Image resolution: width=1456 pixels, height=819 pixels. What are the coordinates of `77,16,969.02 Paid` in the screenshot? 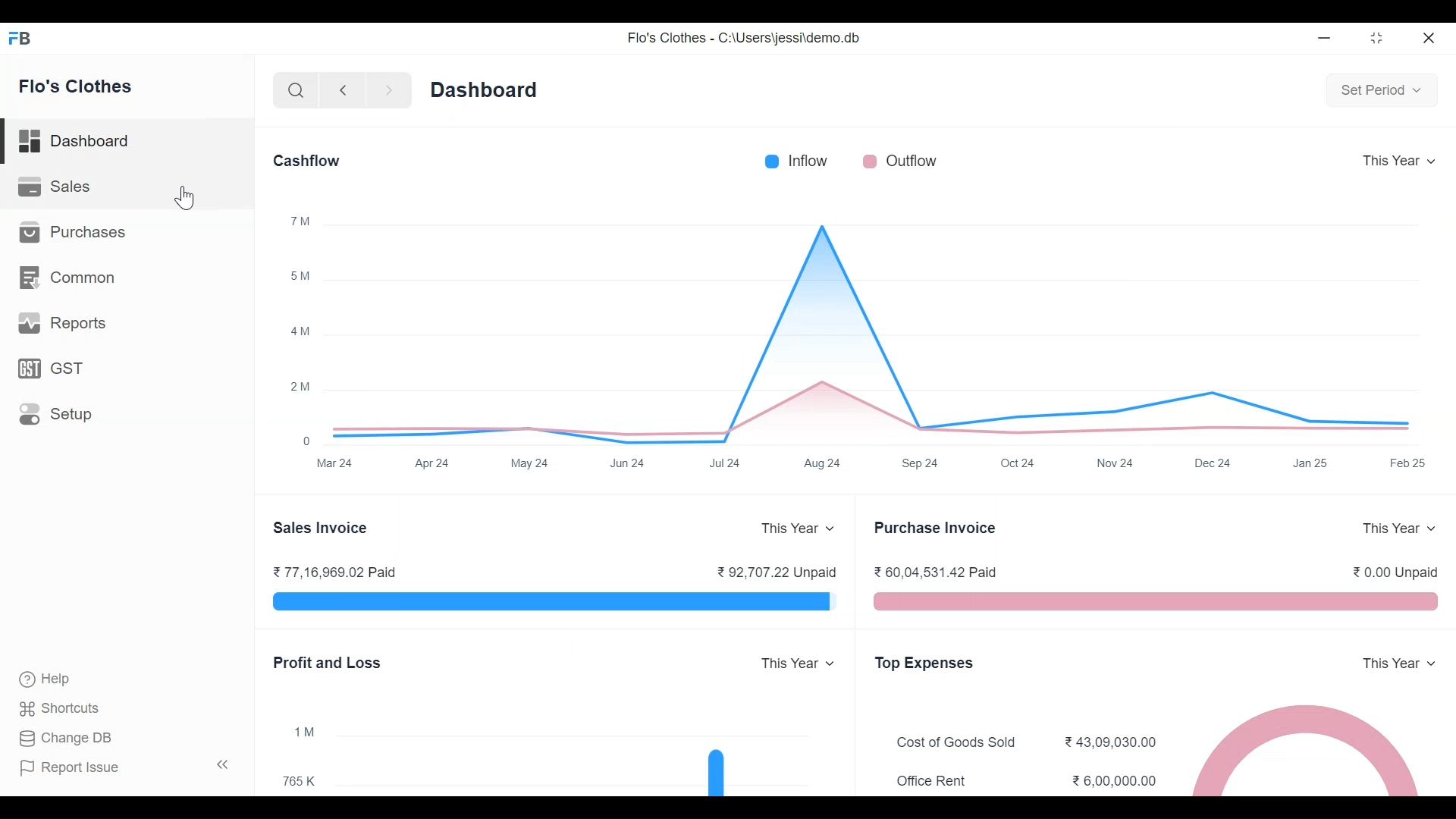 It's located at (334, 572).